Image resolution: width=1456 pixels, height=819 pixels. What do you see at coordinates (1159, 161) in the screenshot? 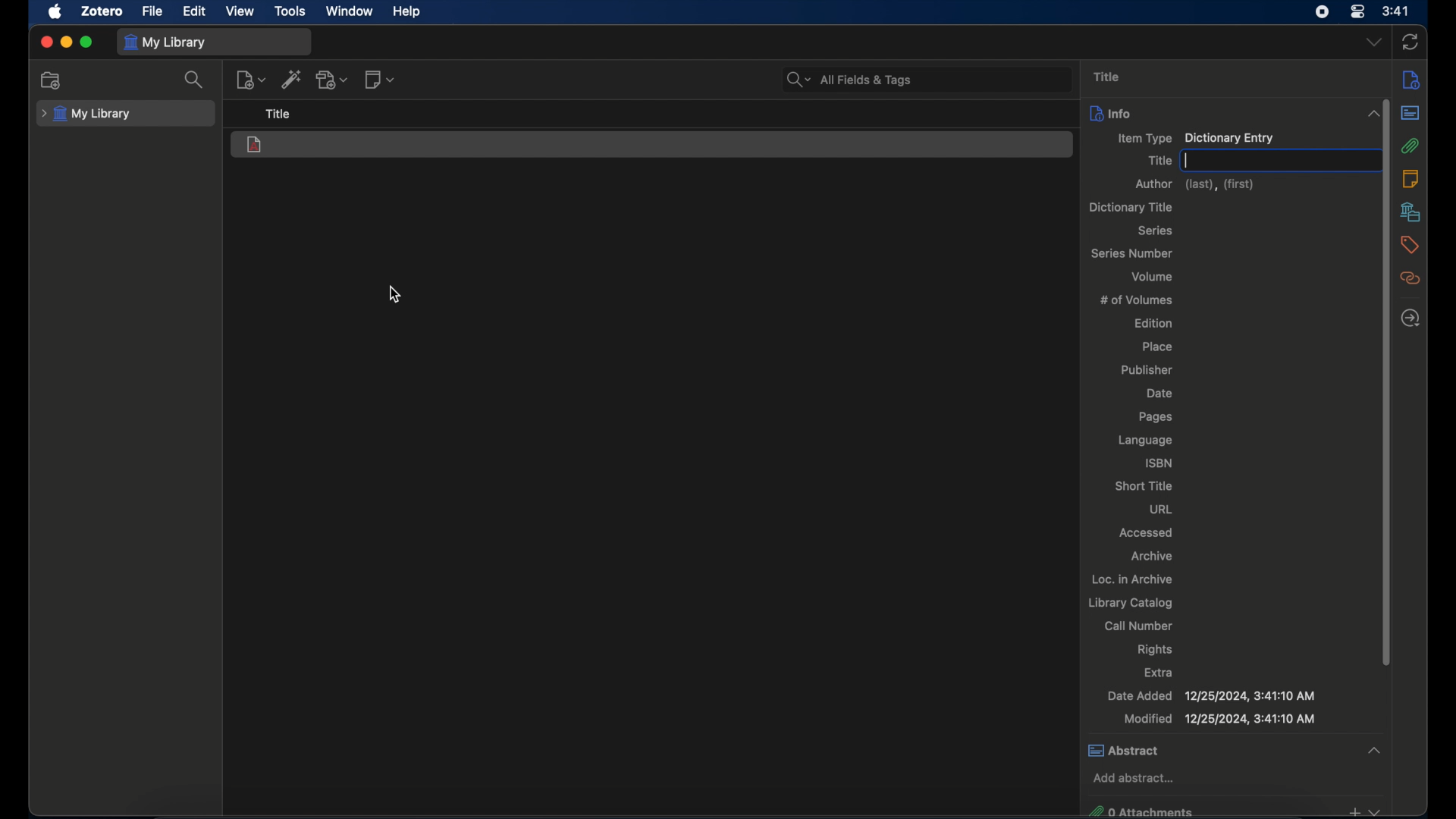
I see `title` at bounding box center [1159, 161].